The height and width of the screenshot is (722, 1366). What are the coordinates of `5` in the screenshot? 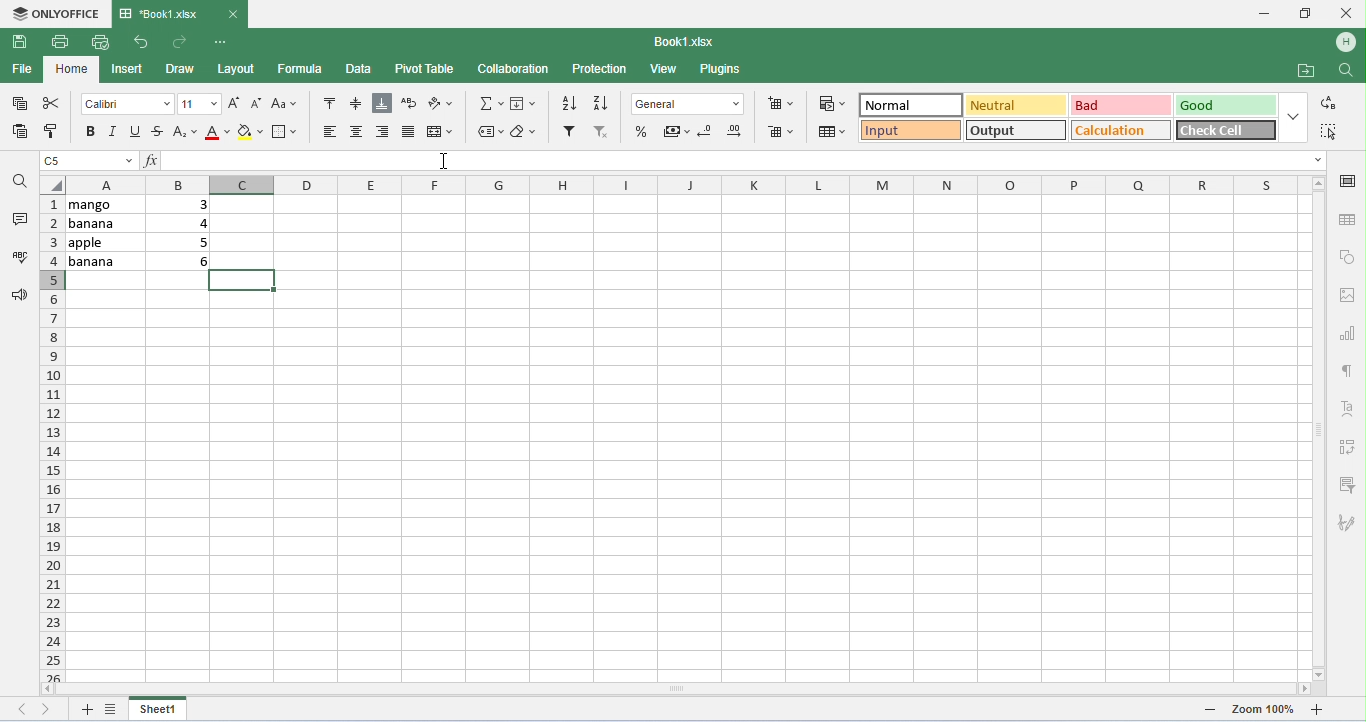 It's located at (199, 243).